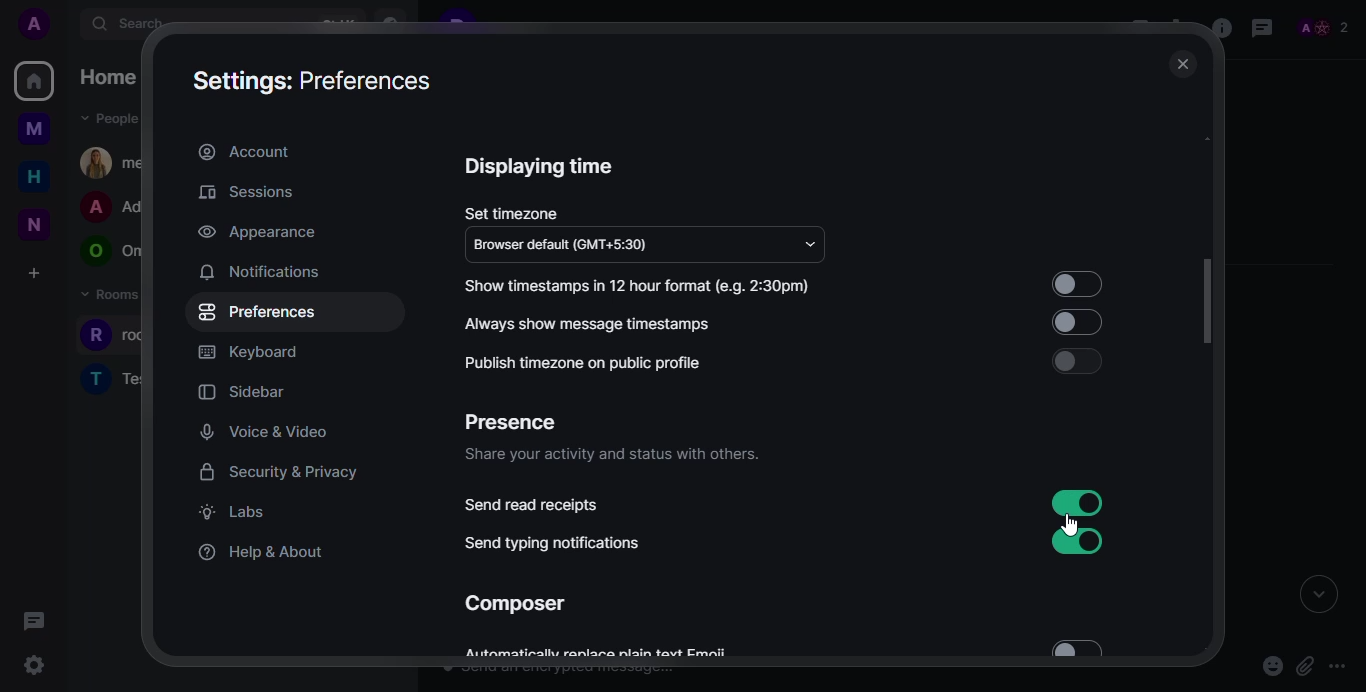 The width and height of the screenshot is (1366, 692). I want to click on composer, so click(515, 604).